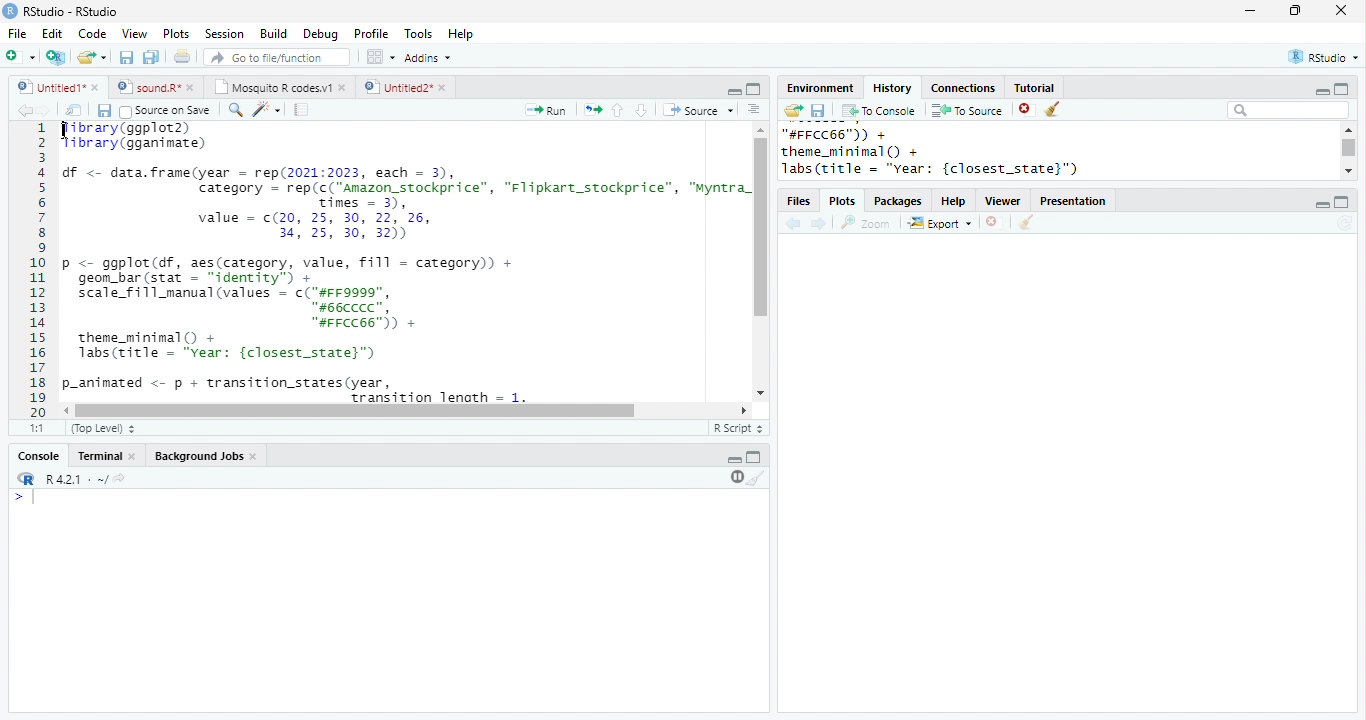 The width and height of the screenshot is (1366, 720). Describe the element at coordinates (71, 11) in the screenshot. I see `RStudio-RStudio` at that location.